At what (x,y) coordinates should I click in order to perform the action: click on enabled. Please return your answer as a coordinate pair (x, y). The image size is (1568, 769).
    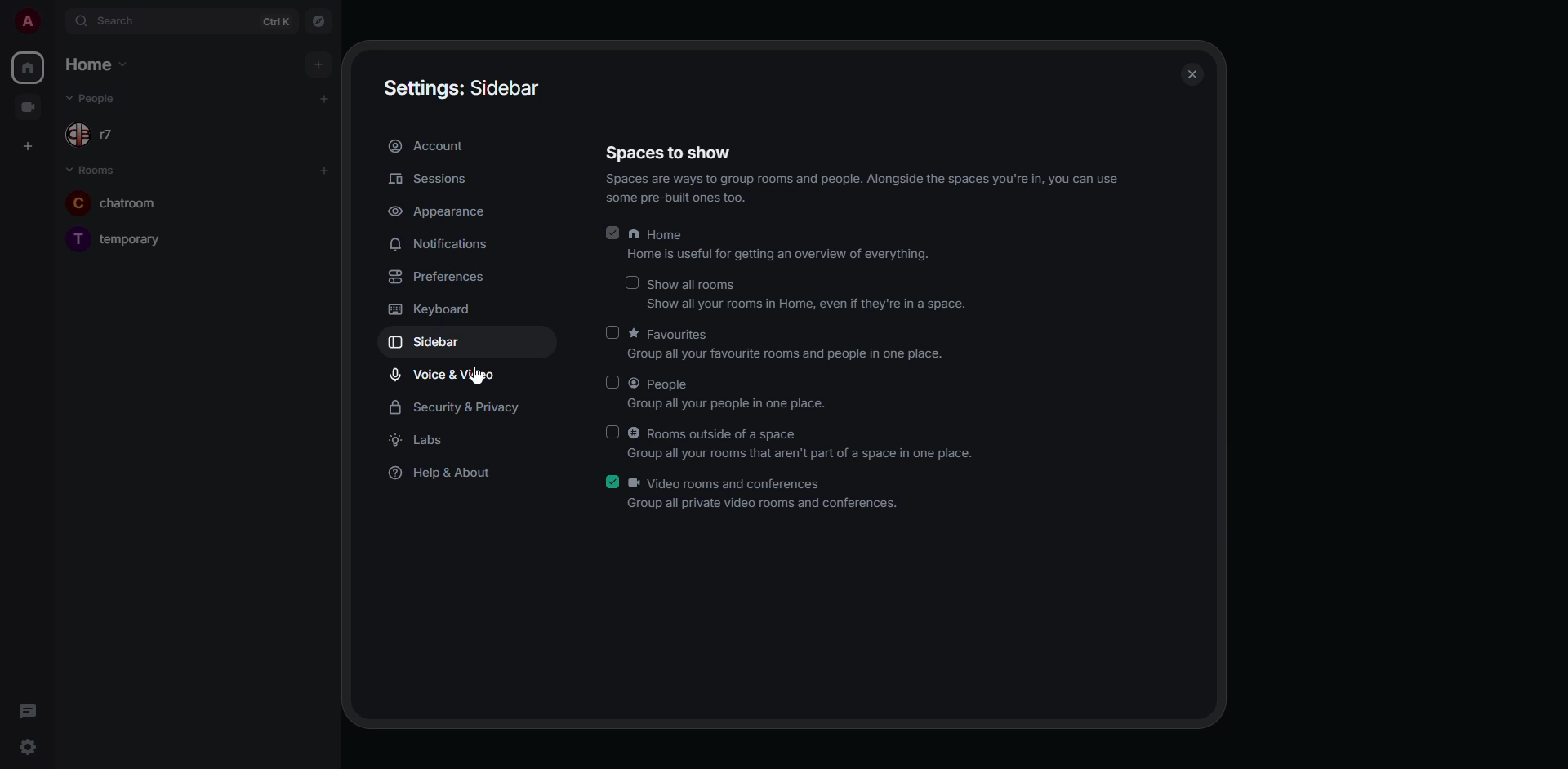
    Looking at the image, I should click on (608, 233).